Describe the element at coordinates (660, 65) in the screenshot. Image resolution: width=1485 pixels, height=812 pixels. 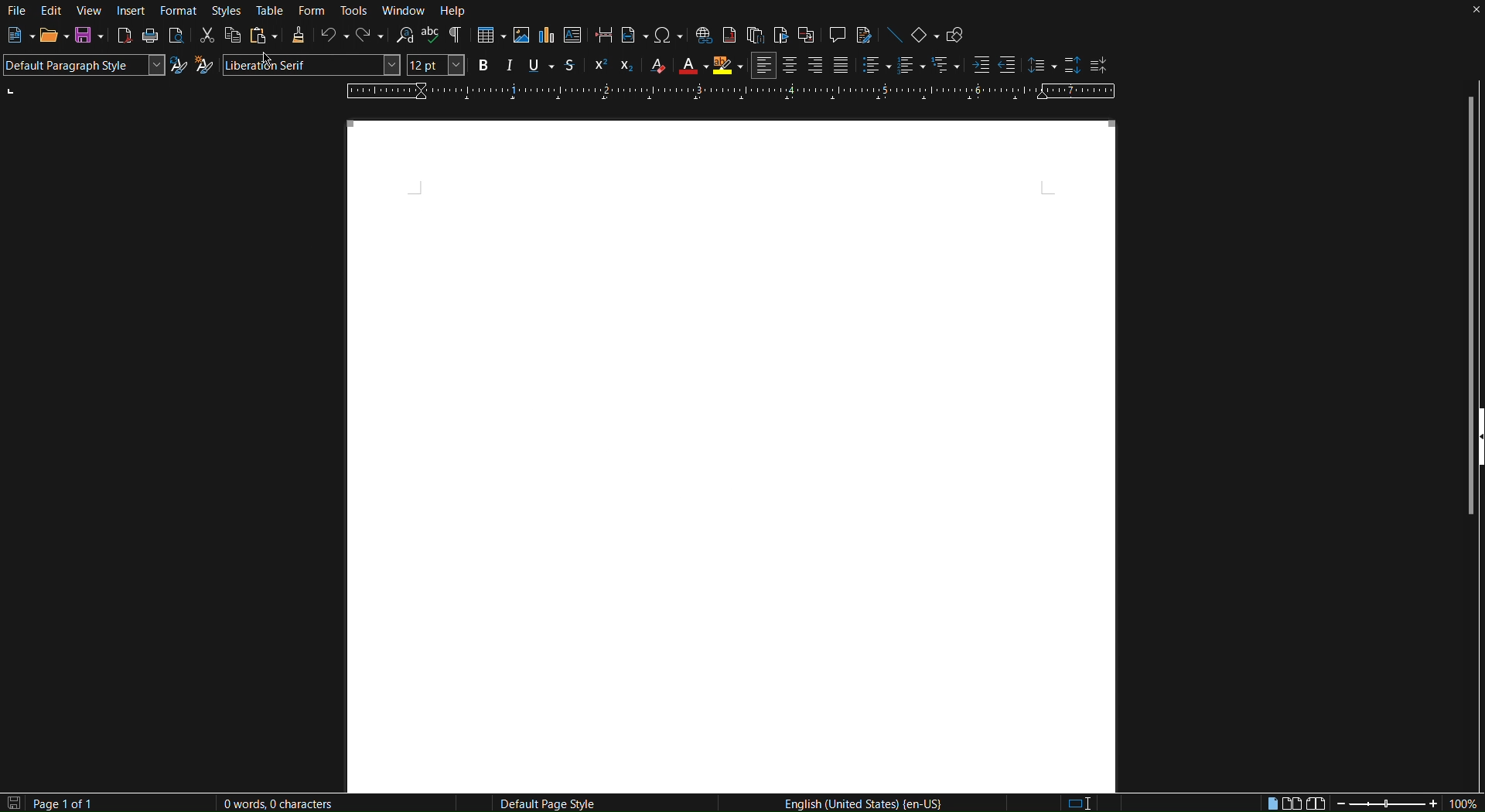
I see `Clear Formatting` at that location.